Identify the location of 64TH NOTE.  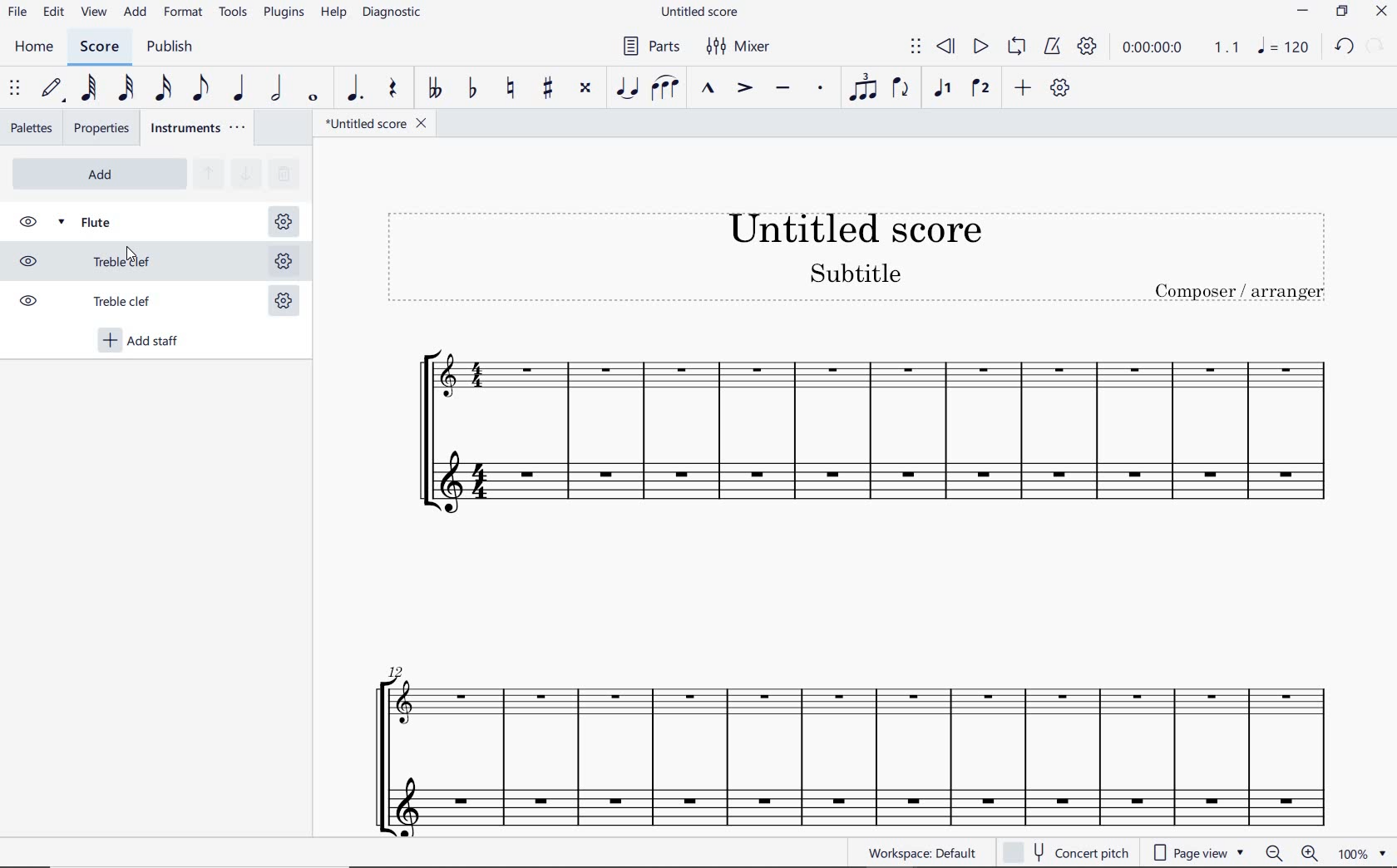
(90, 88).